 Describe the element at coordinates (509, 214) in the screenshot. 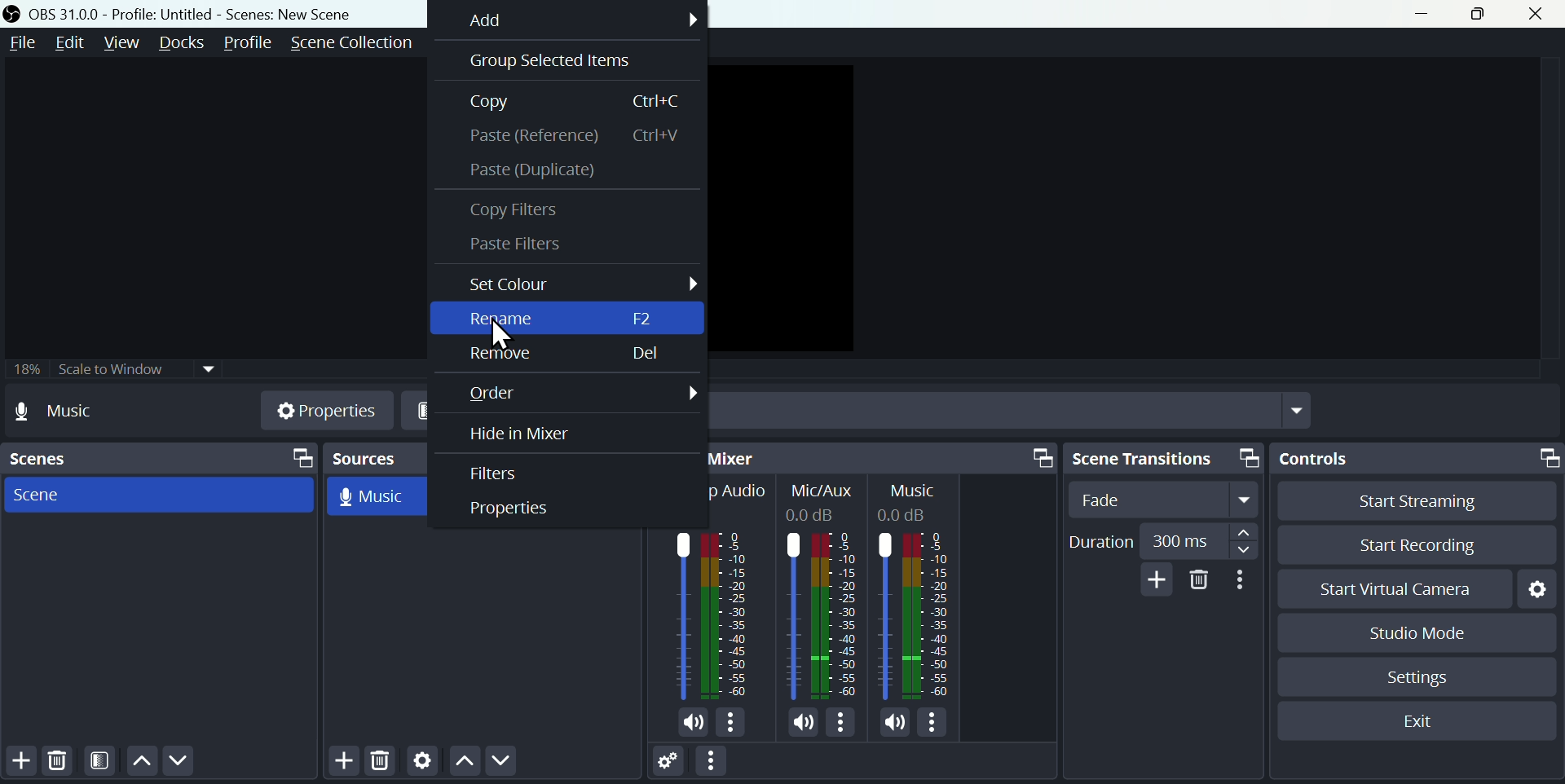

I see `copy filters` at that location.